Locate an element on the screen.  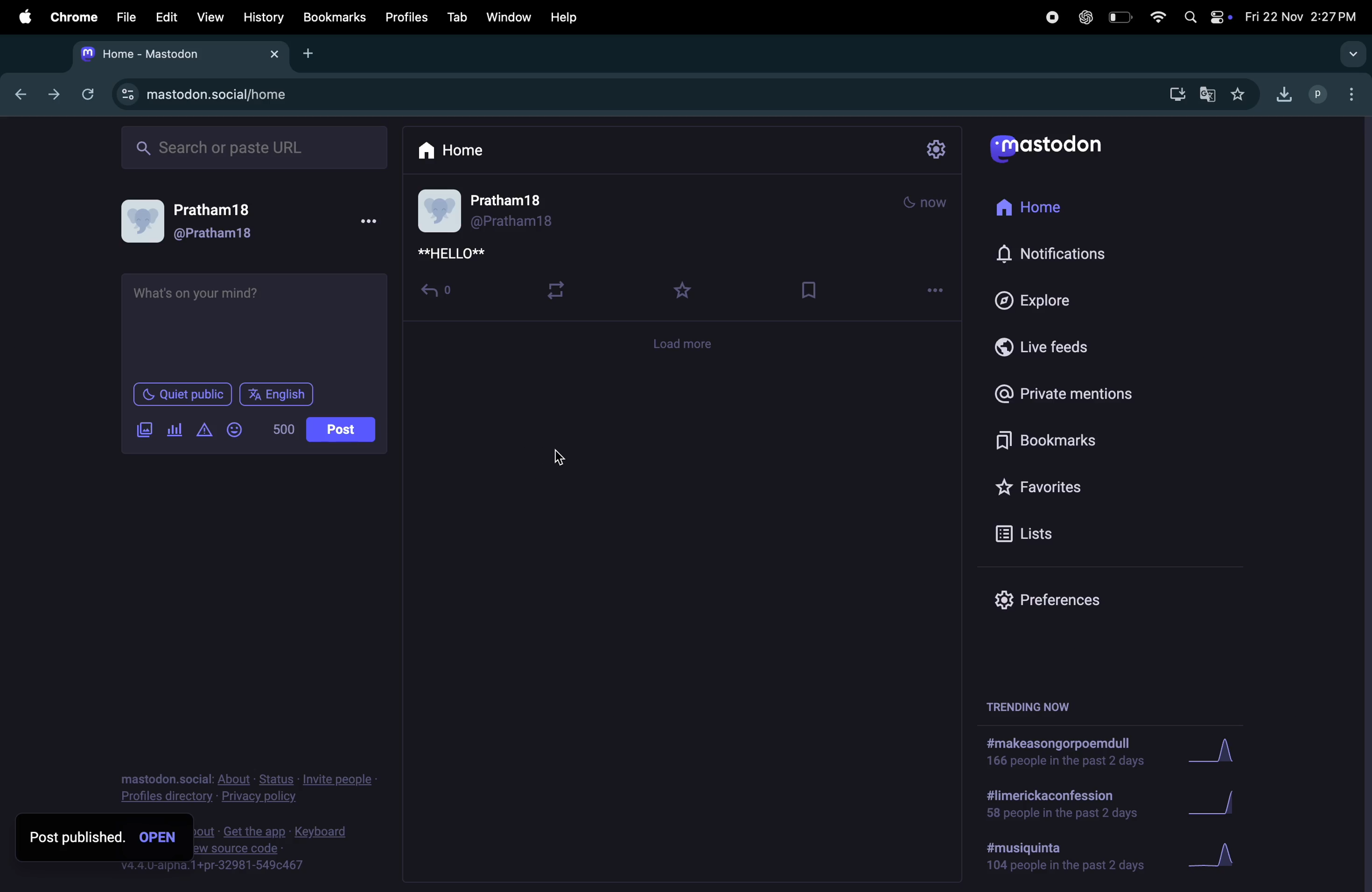
cursor is located at coordinates (565, 458).